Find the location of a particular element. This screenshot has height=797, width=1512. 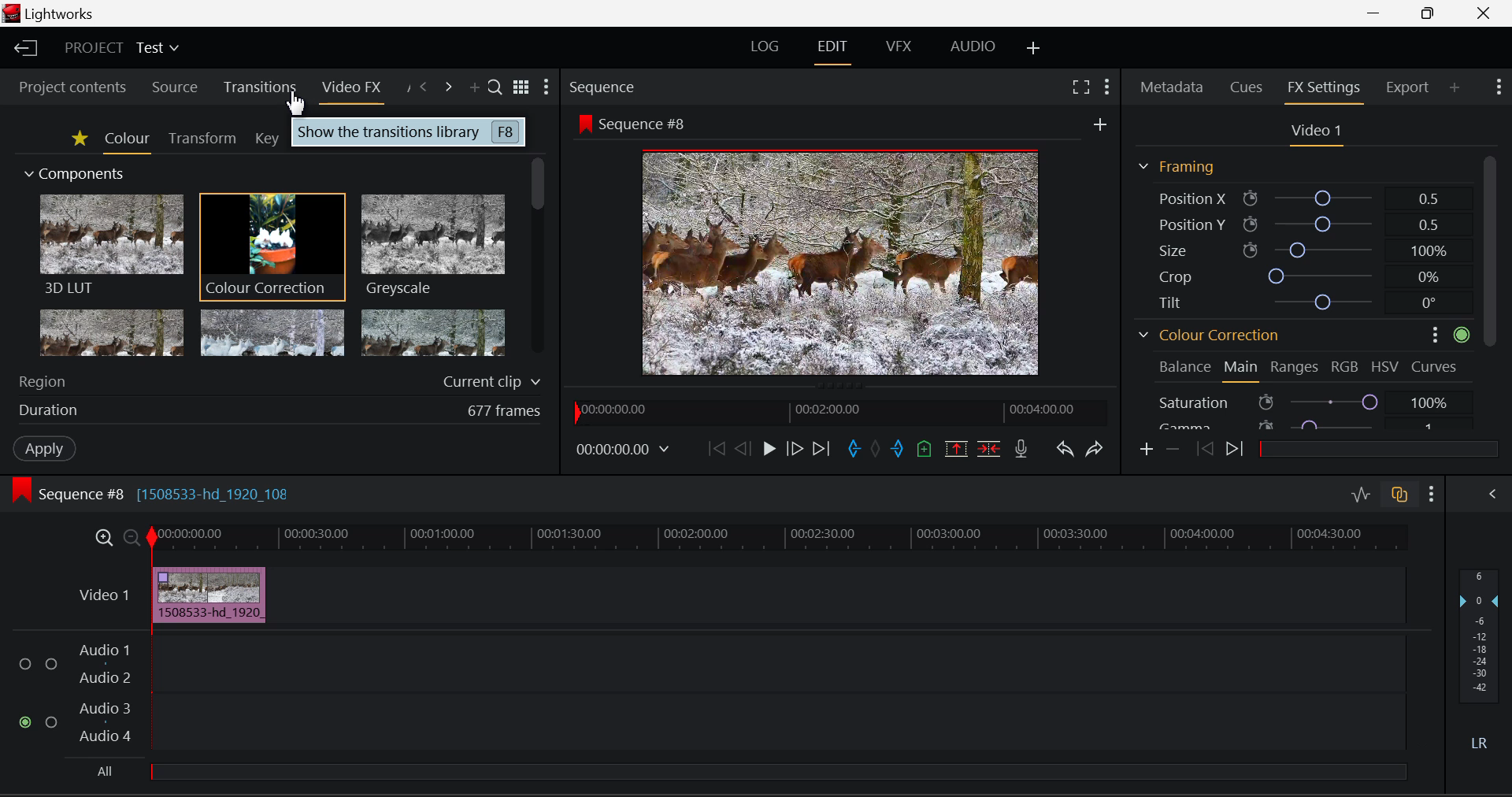

Undo is located at coordinates (1066, 450).